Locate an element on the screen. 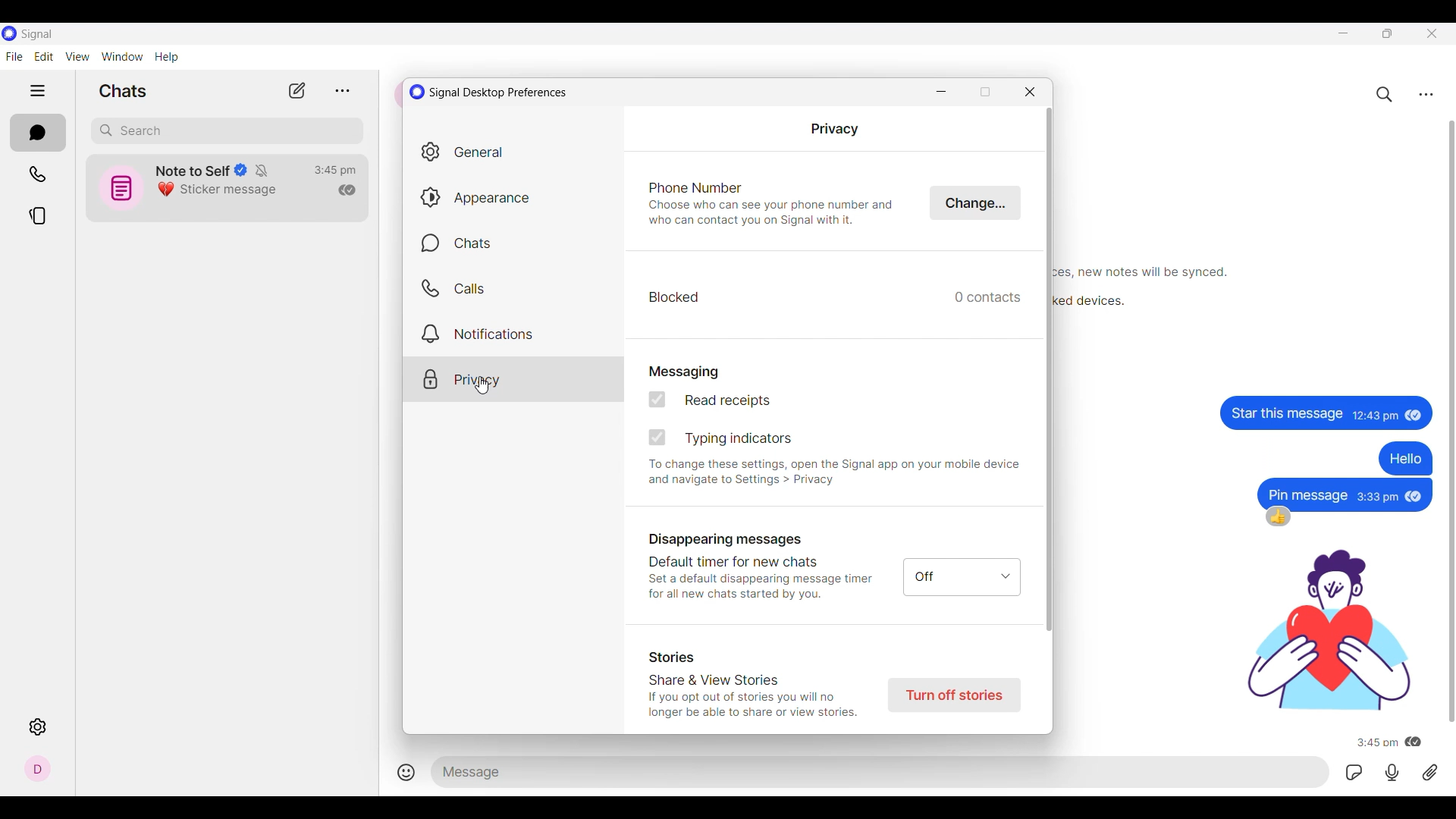 Image resolution: width=1456 pixels, height=819 pixels. Restore down is located at coordinates (985, 92).